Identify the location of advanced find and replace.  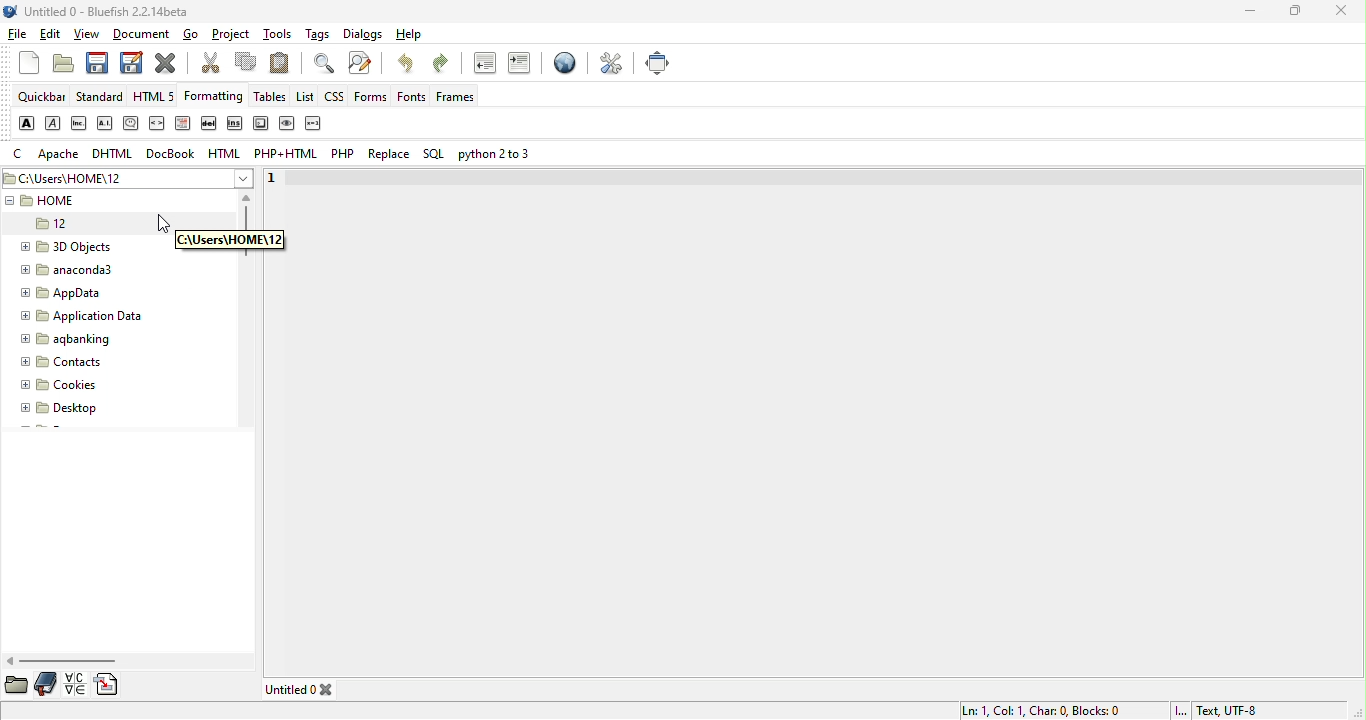
(363, 64).